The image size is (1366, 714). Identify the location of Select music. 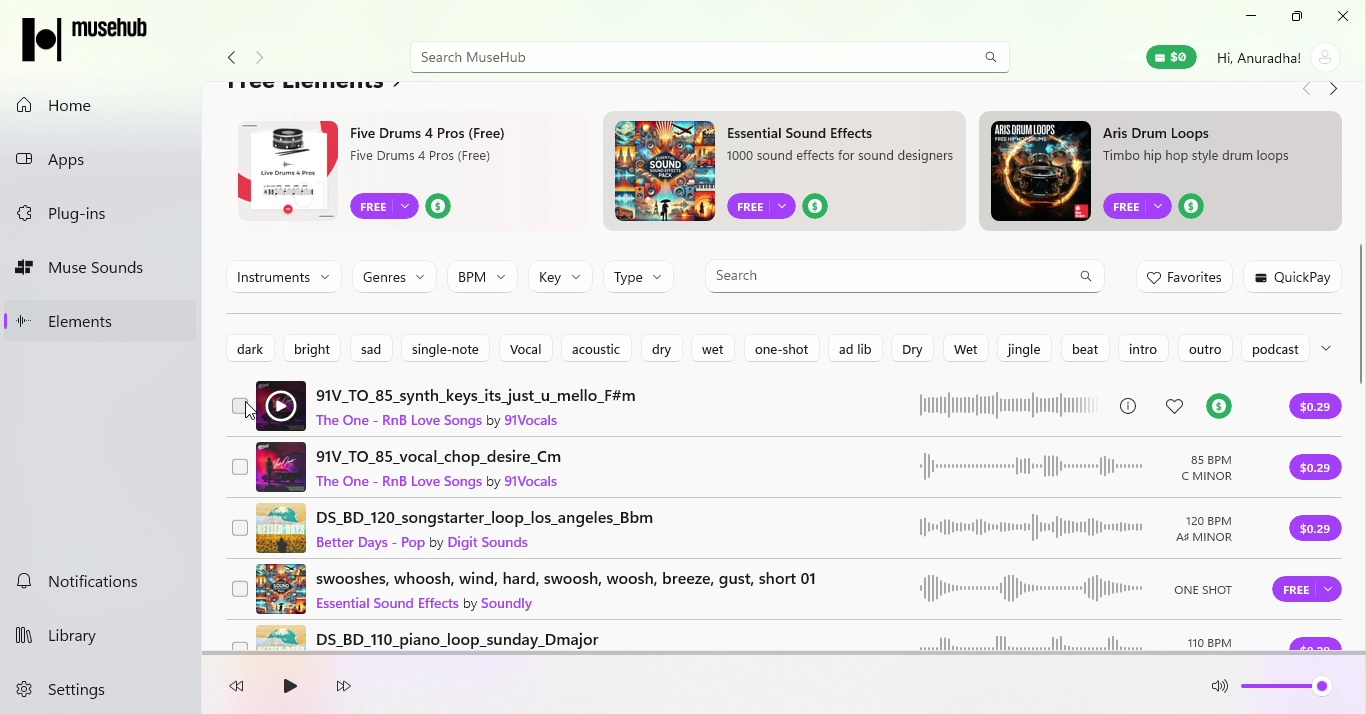
(240, 409).